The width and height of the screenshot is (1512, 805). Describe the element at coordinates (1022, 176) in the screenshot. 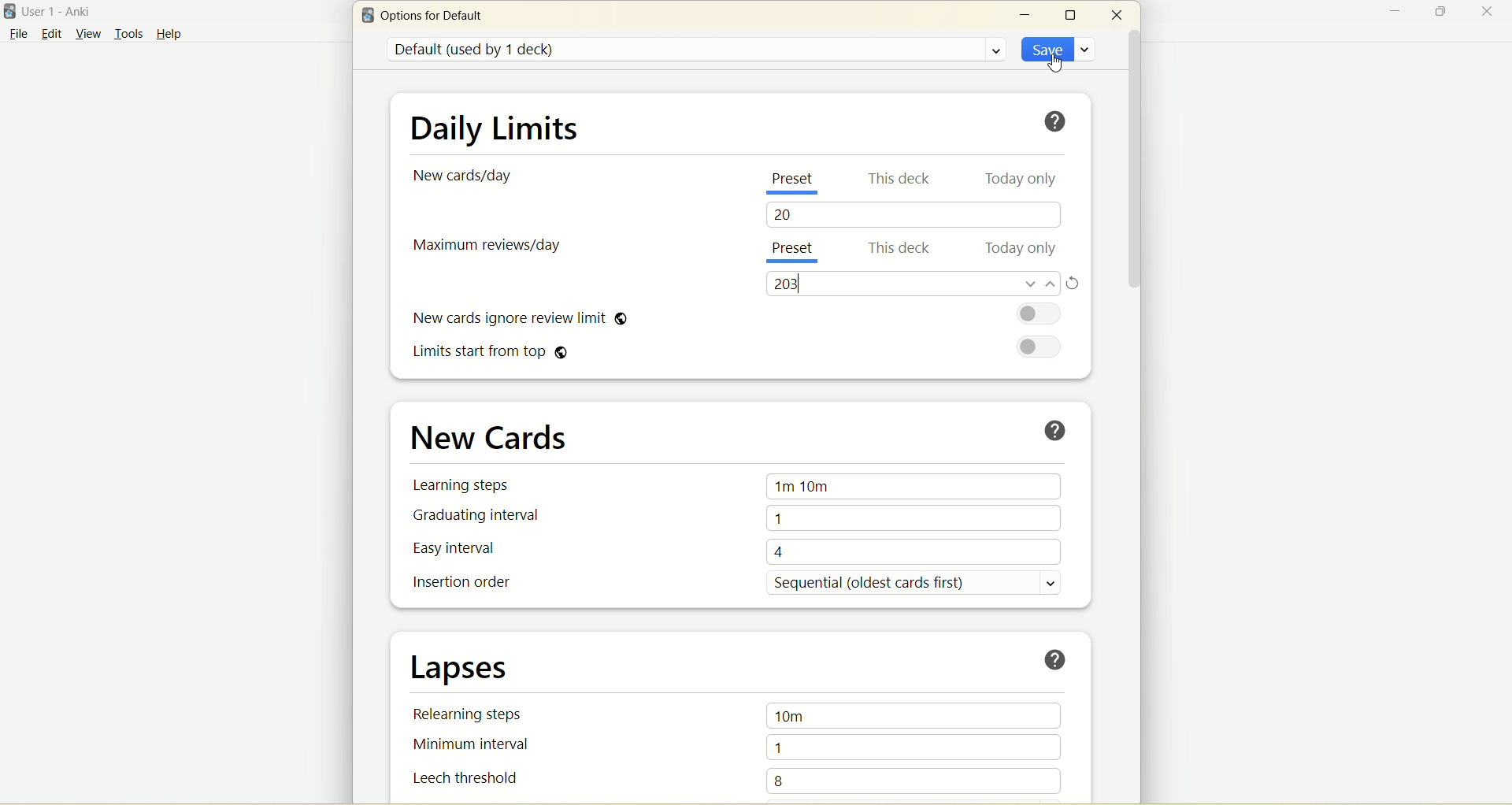

I see `today only` at that location.